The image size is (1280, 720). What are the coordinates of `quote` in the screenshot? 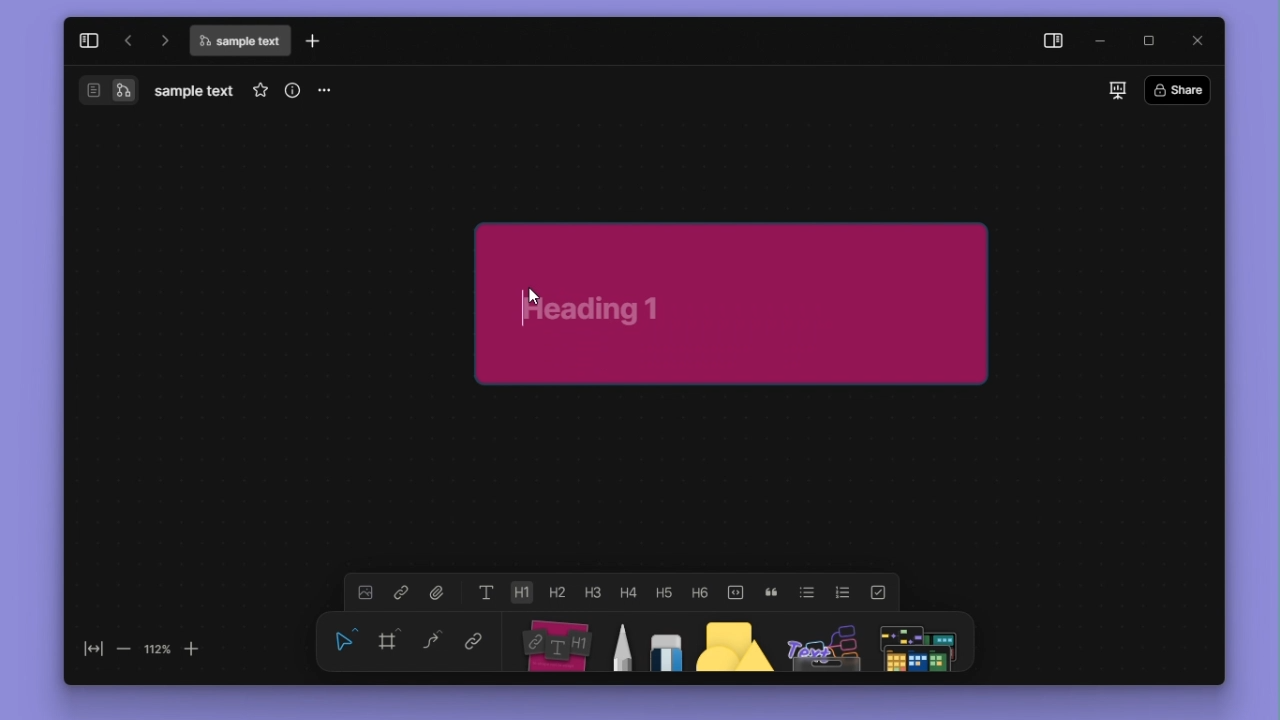 It's located at (771, 593).